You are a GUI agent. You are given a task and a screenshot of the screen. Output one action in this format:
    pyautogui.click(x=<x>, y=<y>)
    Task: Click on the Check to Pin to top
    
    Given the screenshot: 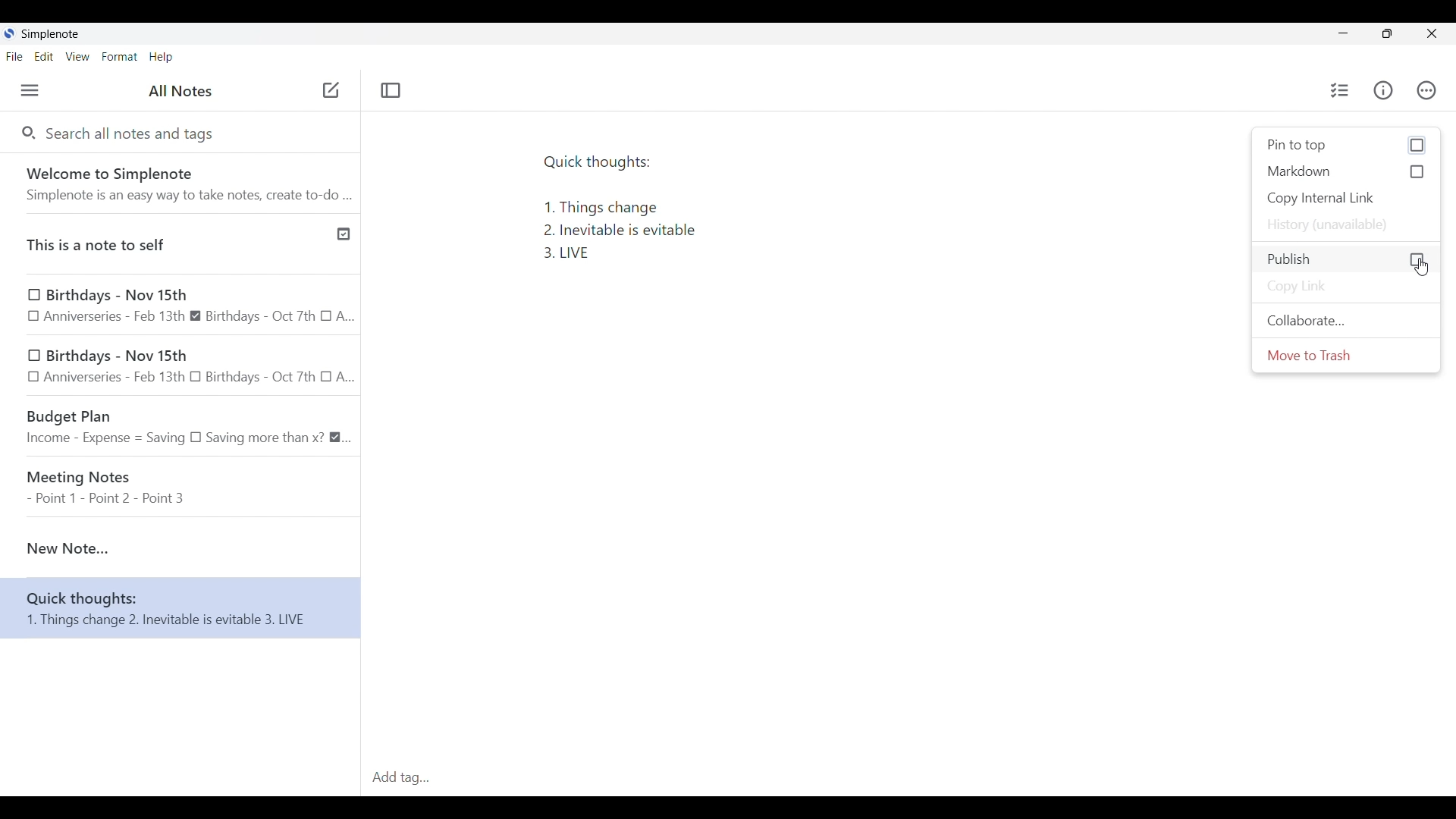 What is the action you would take?
    pyautogui.click(x=1346, y=146)
    